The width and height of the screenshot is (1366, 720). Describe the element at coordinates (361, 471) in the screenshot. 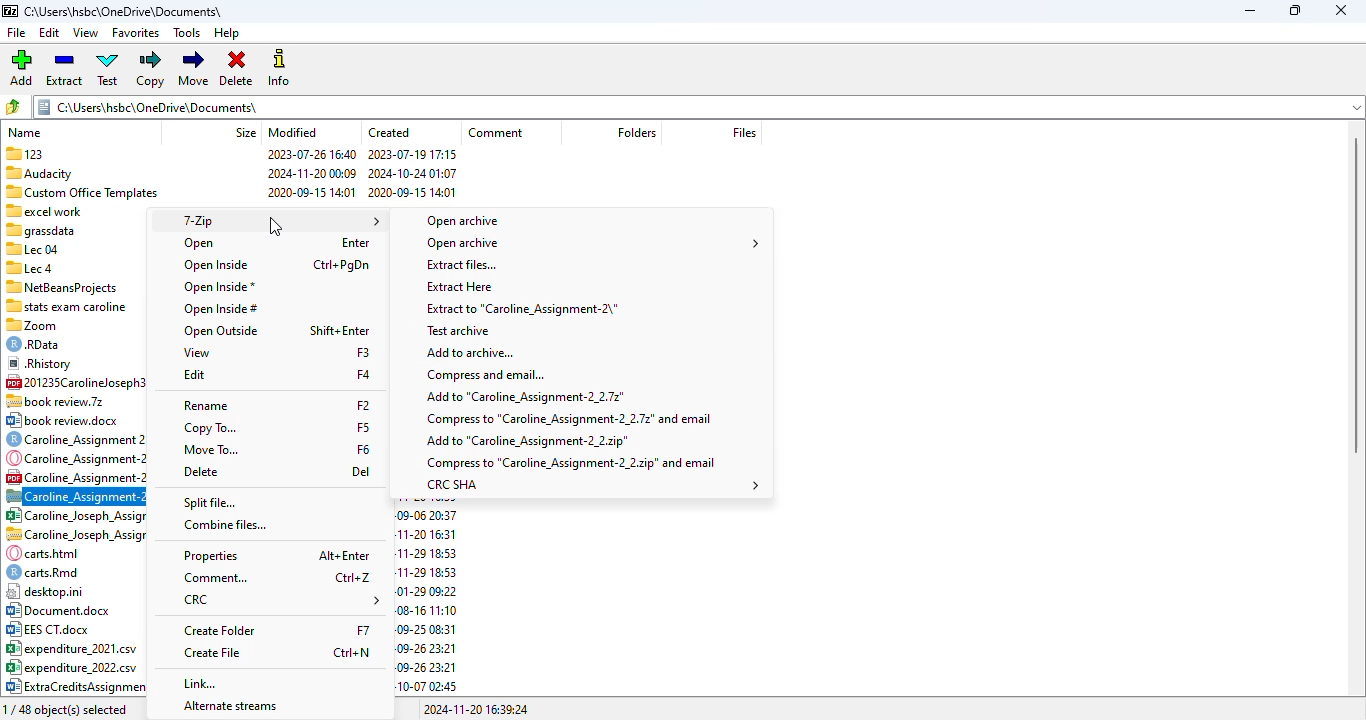

I see `shortcut for delete` at that location.